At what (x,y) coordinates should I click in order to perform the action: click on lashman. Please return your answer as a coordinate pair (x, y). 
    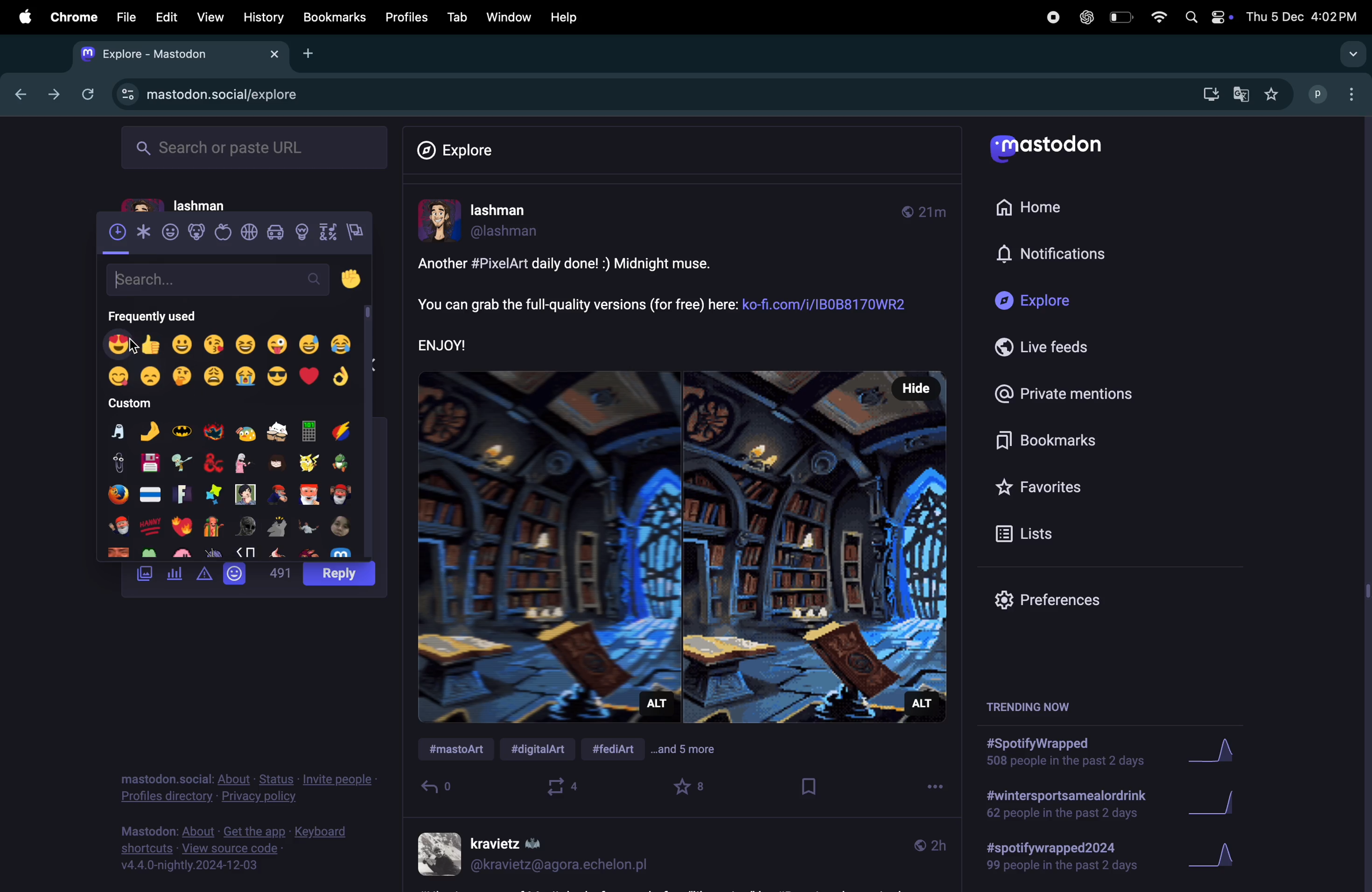
    Looking at the image, I should click on (195, 200).